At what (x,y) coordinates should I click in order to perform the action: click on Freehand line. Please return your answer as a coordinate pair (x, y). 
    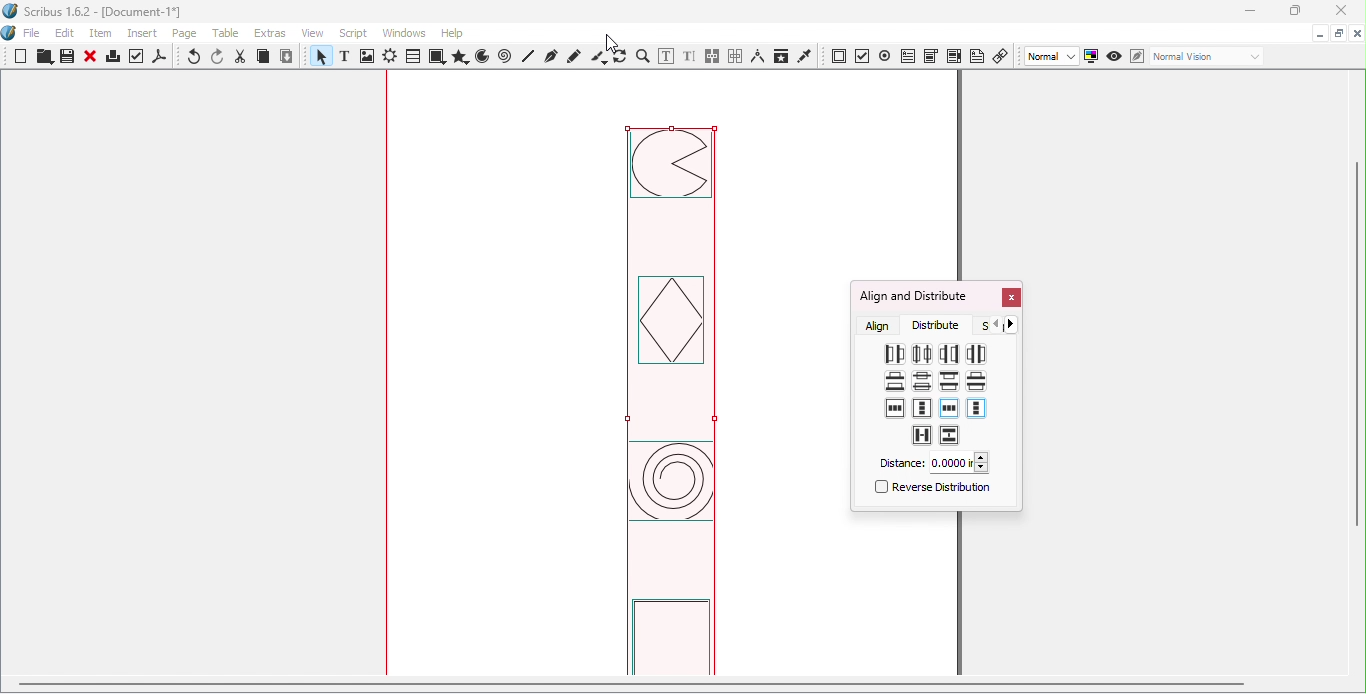
    Looking at the image, I should click on (575, 56).